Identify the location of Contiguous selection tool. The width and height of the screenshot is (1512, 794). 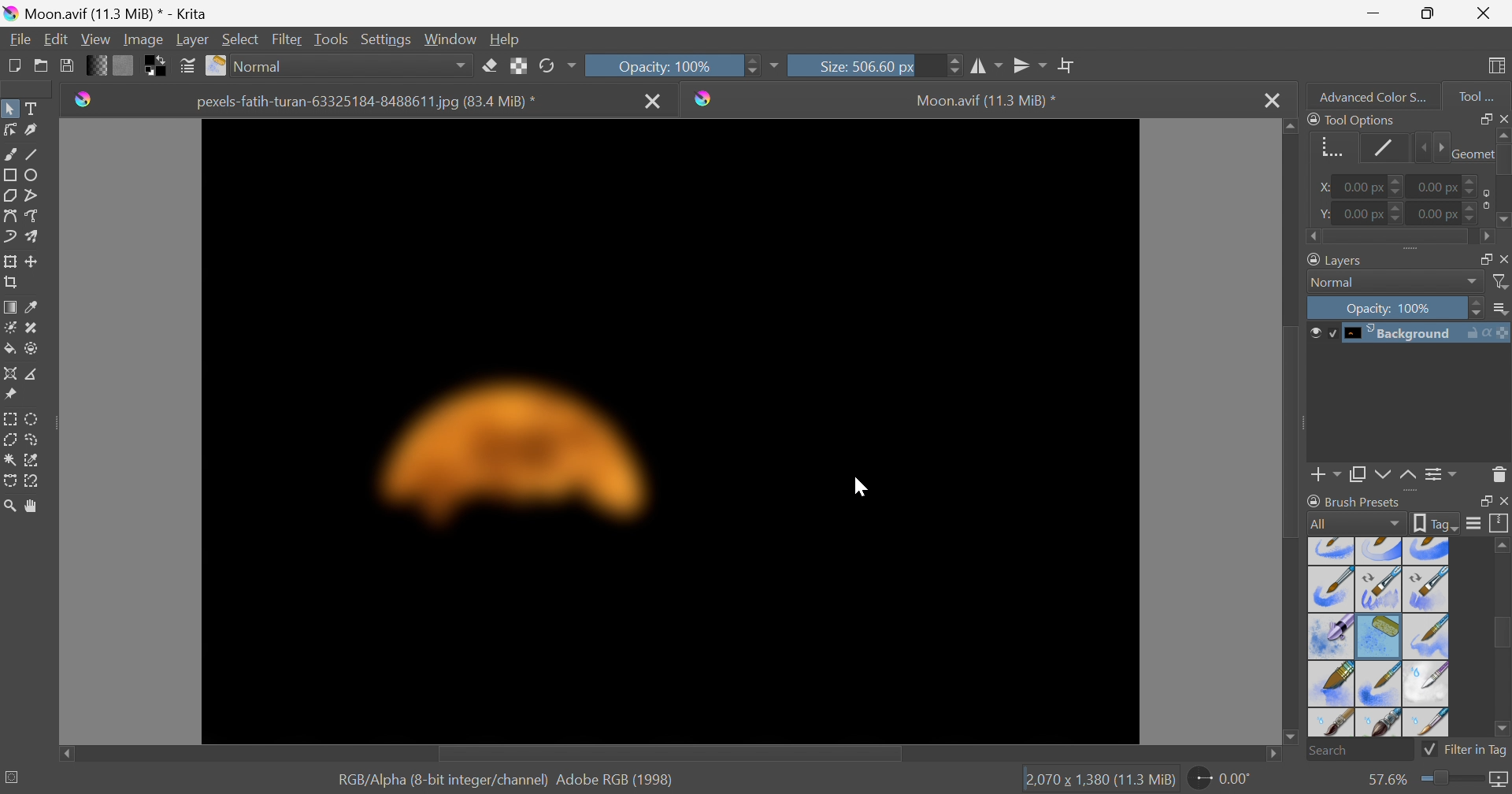
(10, 461).